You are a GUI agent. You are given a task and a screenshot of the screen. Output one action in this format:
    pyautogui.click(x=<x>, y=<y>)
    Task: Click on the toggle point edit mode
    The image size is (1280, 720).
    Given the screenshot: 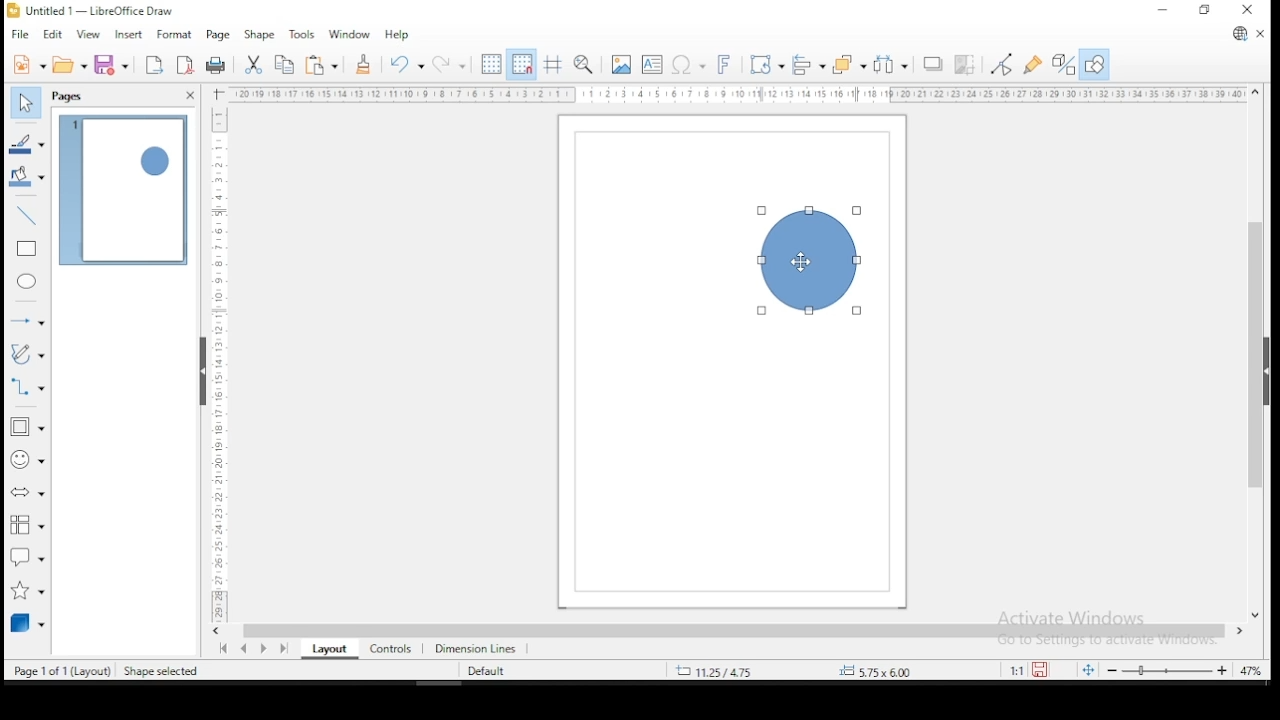 What is the action you would take?
    pyautogui.click(x=1000, y=64)
    